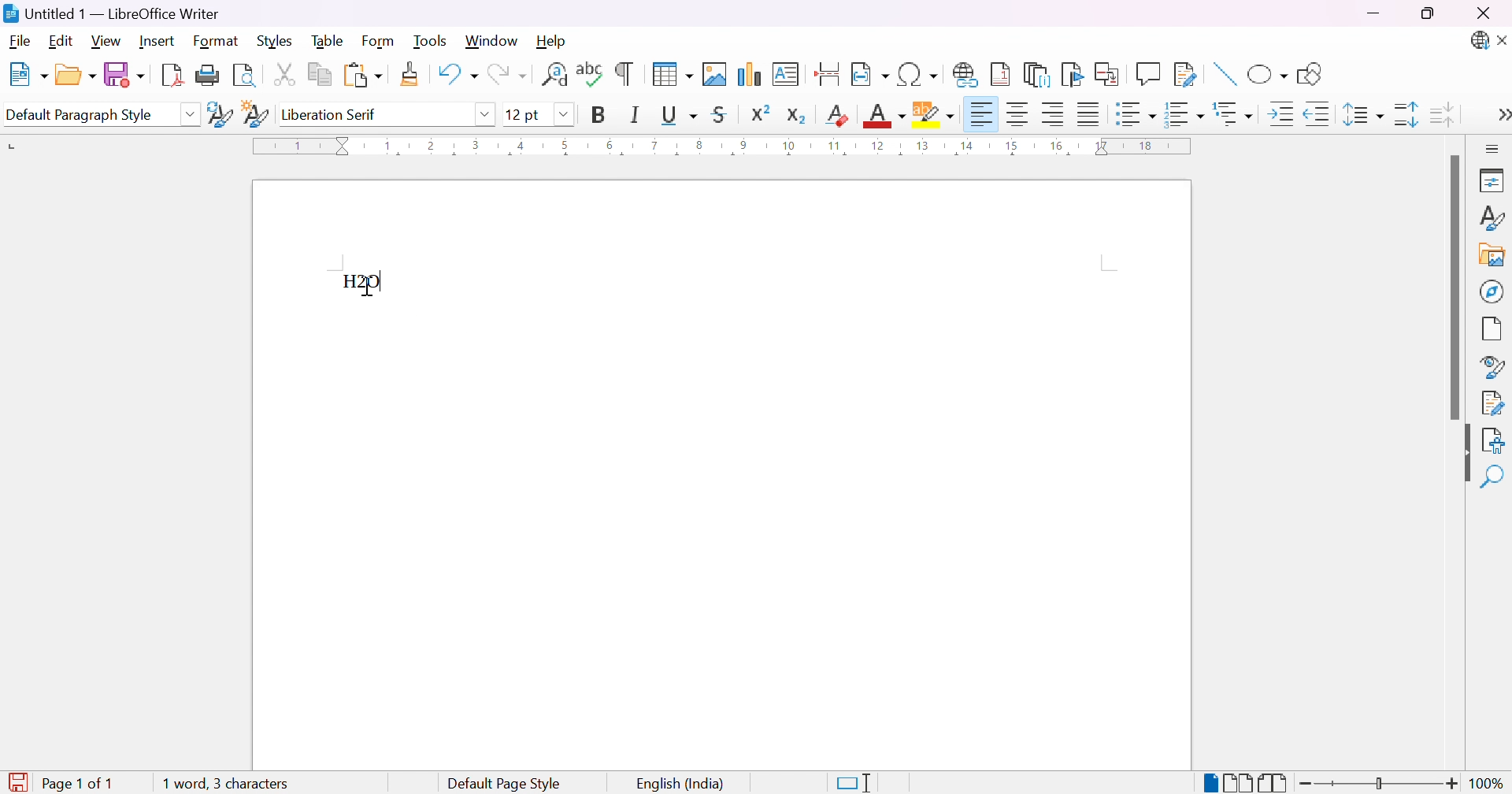 The image size is (1512, 794). Describe the element at coordinates (785, 74) in the screenshot. I see `Insert text box` at that location.